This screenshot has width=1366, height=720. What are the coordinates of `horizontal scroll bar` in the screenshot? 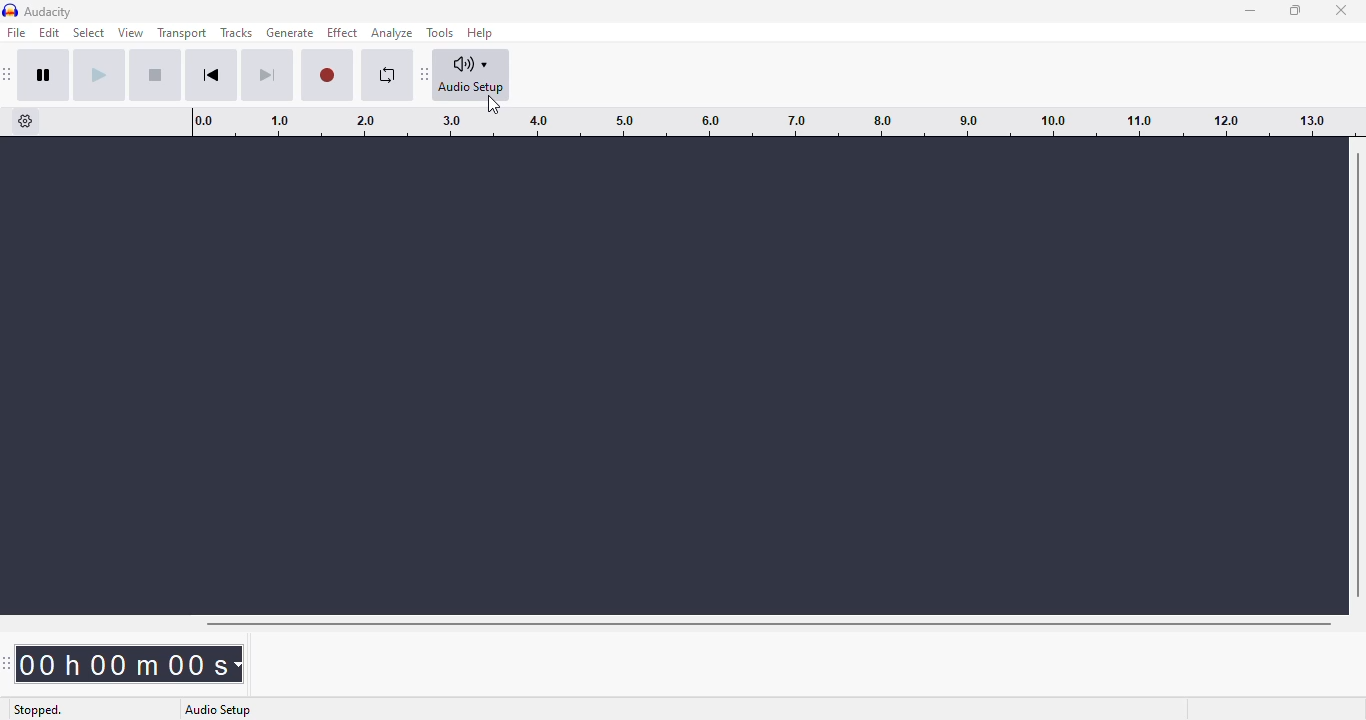 It's located at (768, 624).